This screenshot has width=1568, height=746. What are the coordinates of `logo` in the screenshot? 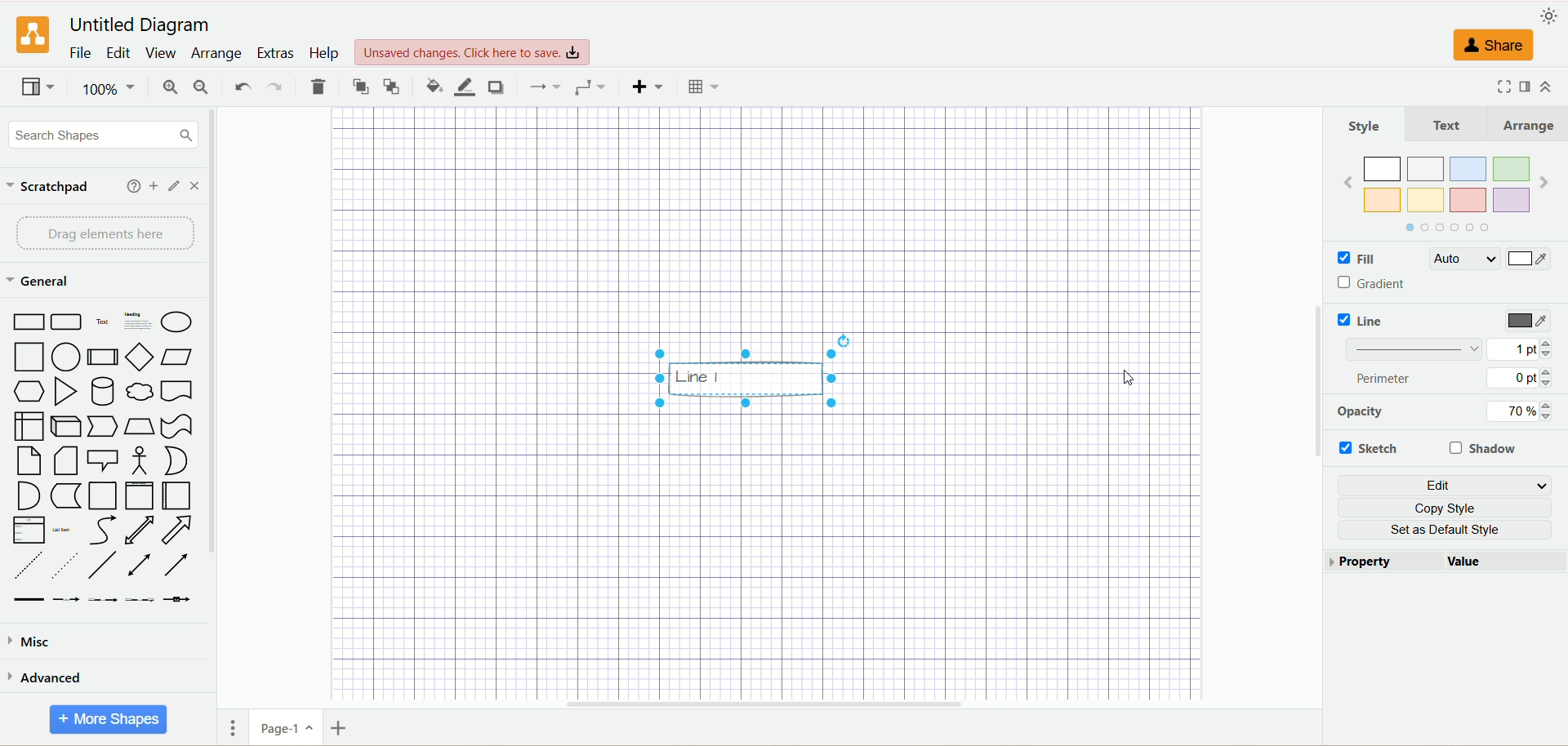 It's located at (31, 35).